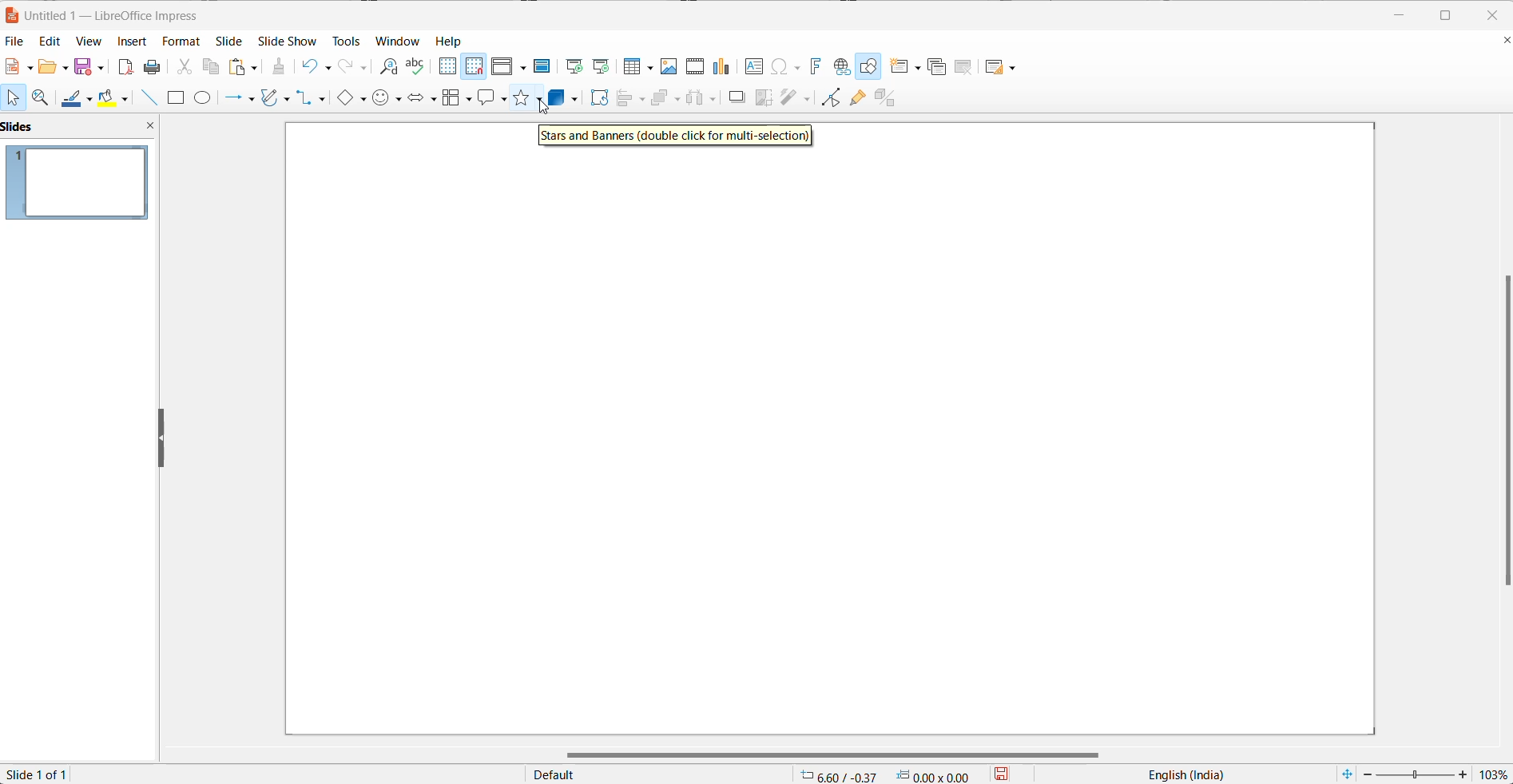 The width and height of the screenshot is (1513, 784). I want to click on display views, so click(510, 65).